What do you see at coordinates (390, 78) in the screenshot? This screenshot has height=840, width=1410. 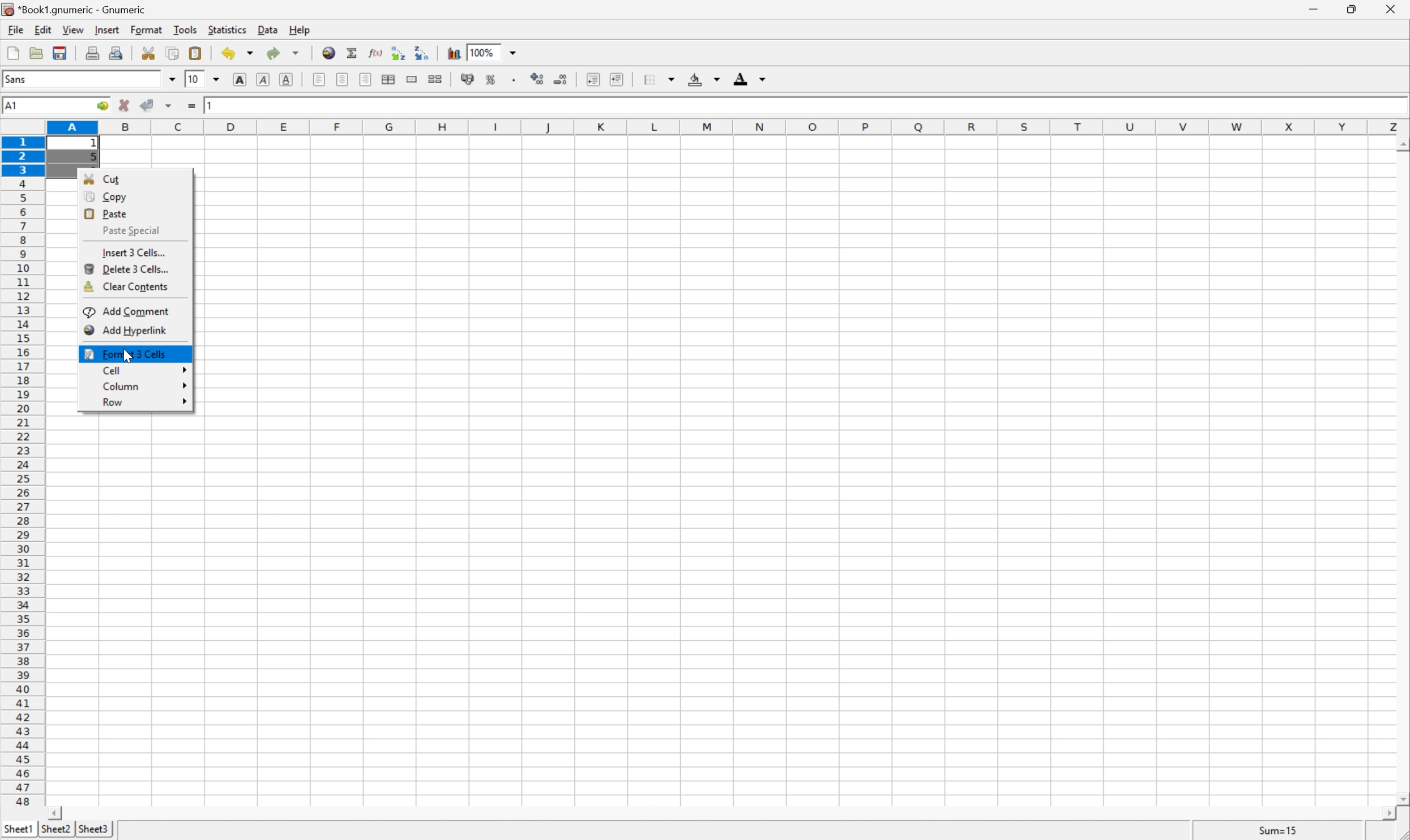 I see `center horizontally` at bounding box center [390, 78].